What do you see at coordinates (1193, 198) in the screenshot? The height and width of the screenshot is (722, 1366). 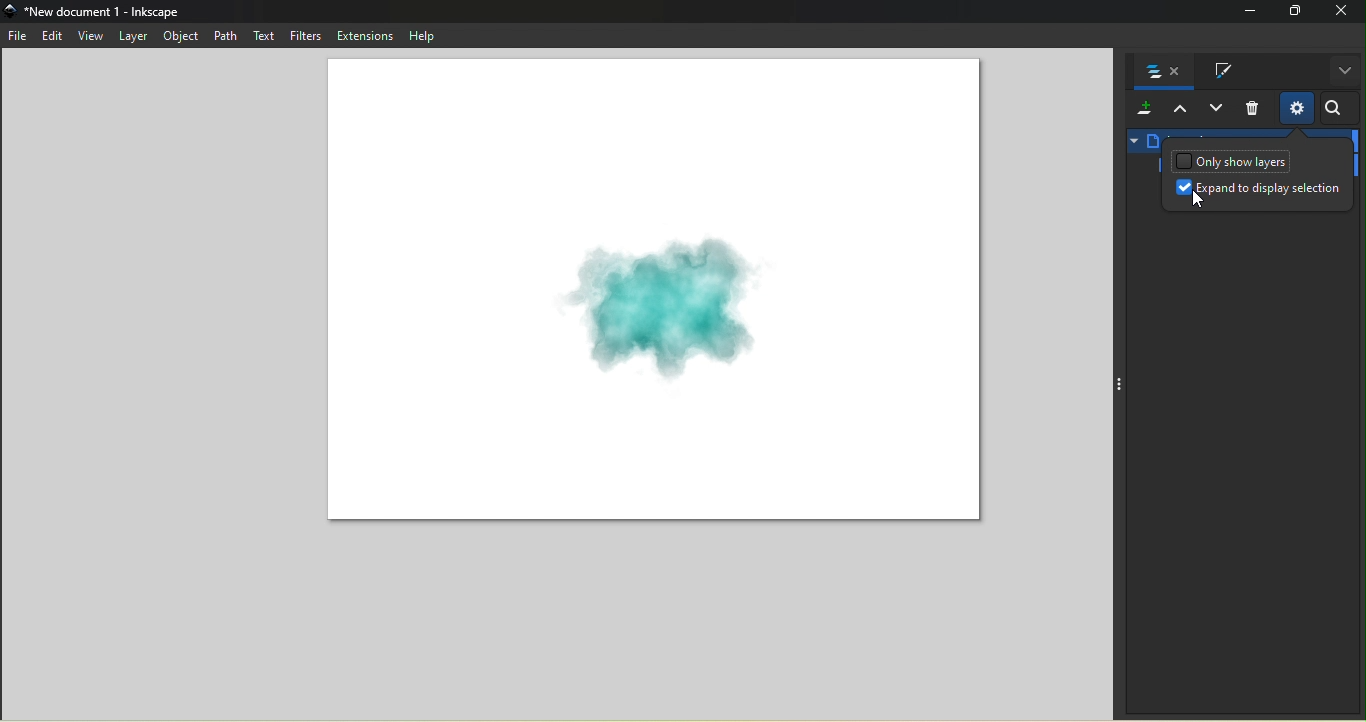 I see `cursor` at bounding box center [1193, 198].